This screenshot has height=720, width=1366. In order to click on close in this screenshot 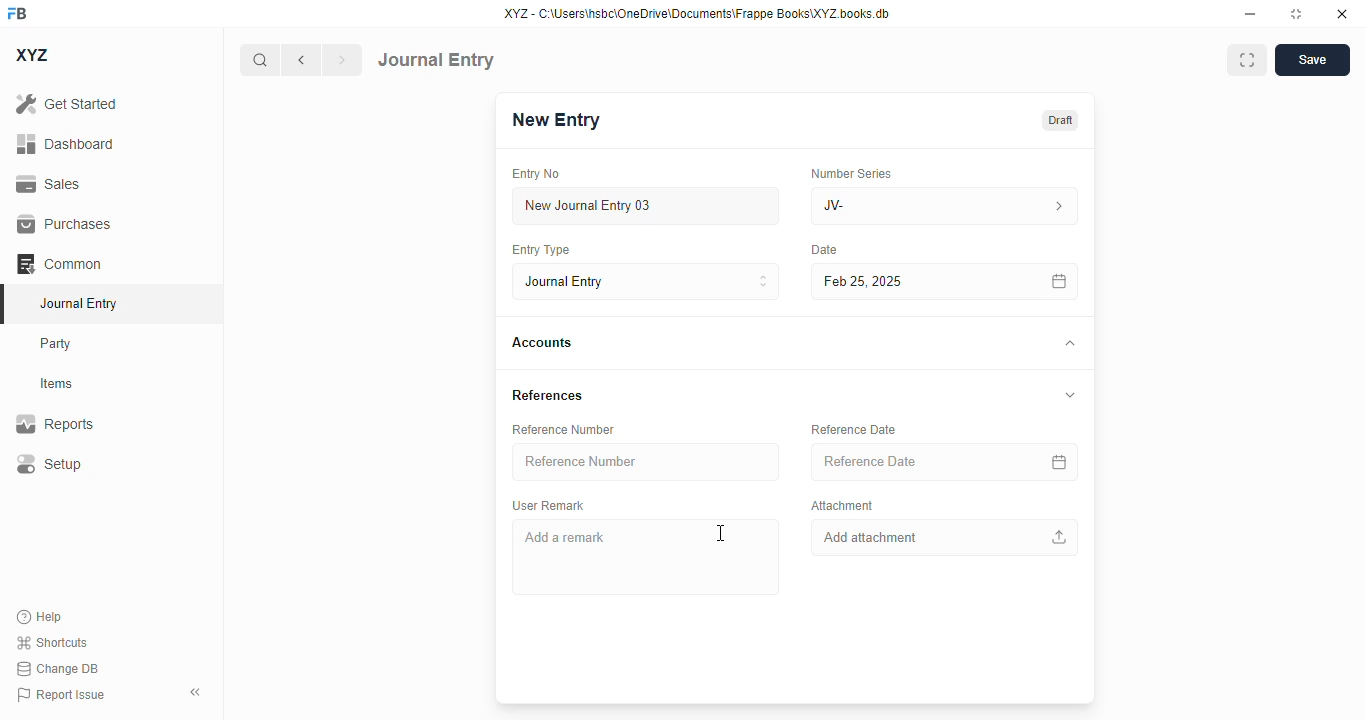, I will do `click(1342, 13)`.